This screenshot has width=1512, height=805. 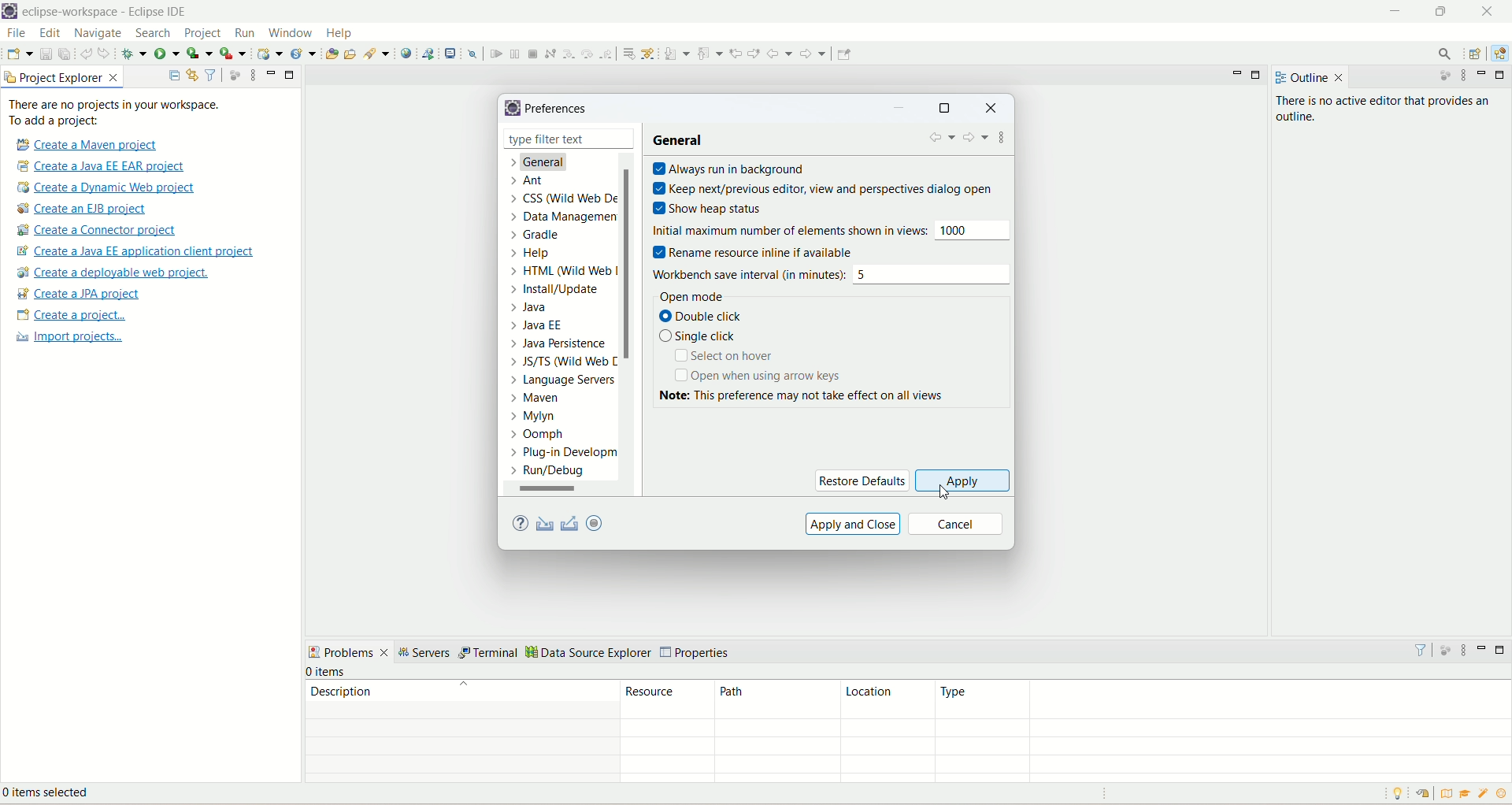 I want to click on maximize, so click(x=1444, y=14).